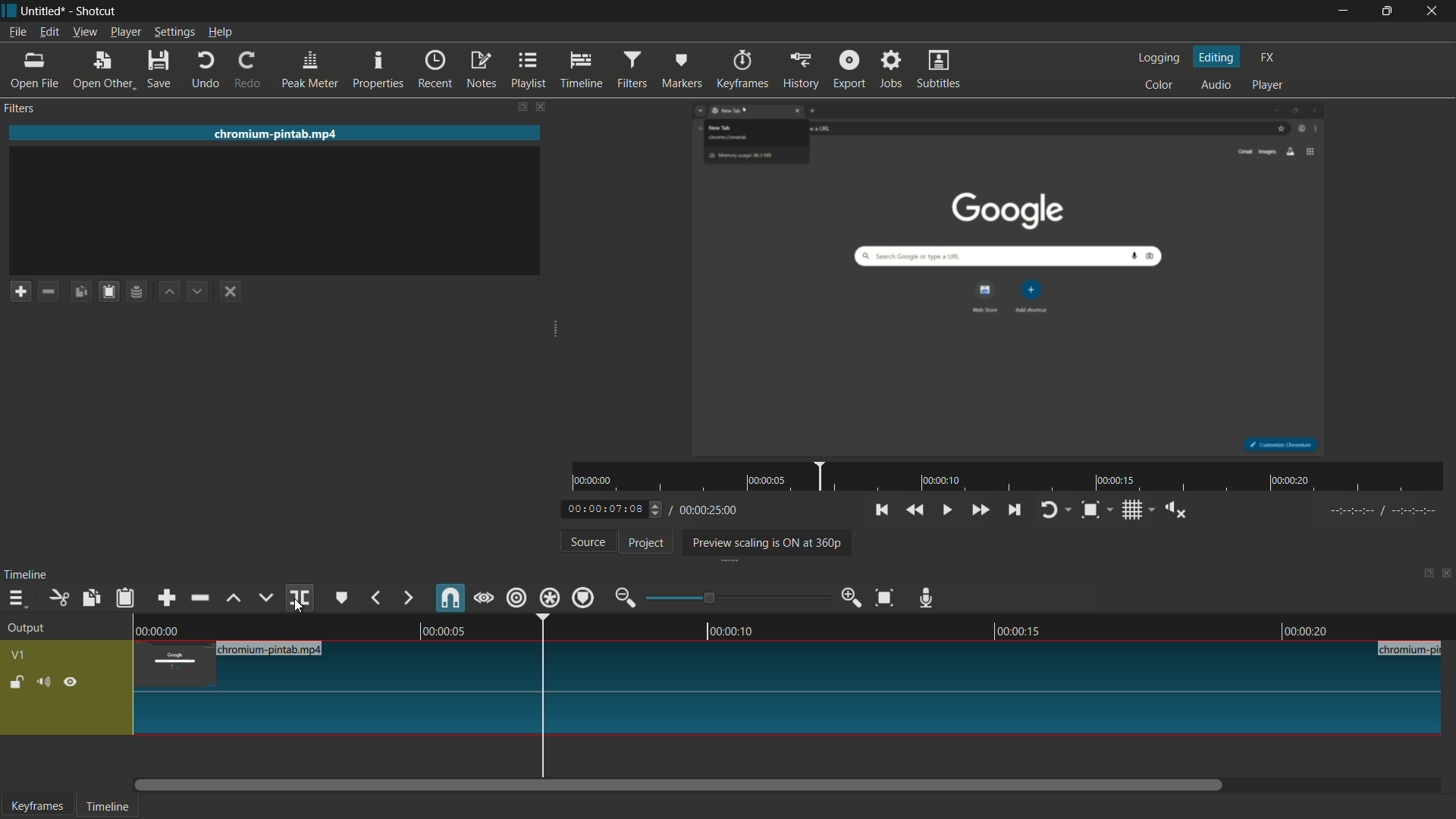 The width and height of the screenshot is (1456, 819). I want to click on v1, so click(20, 657).